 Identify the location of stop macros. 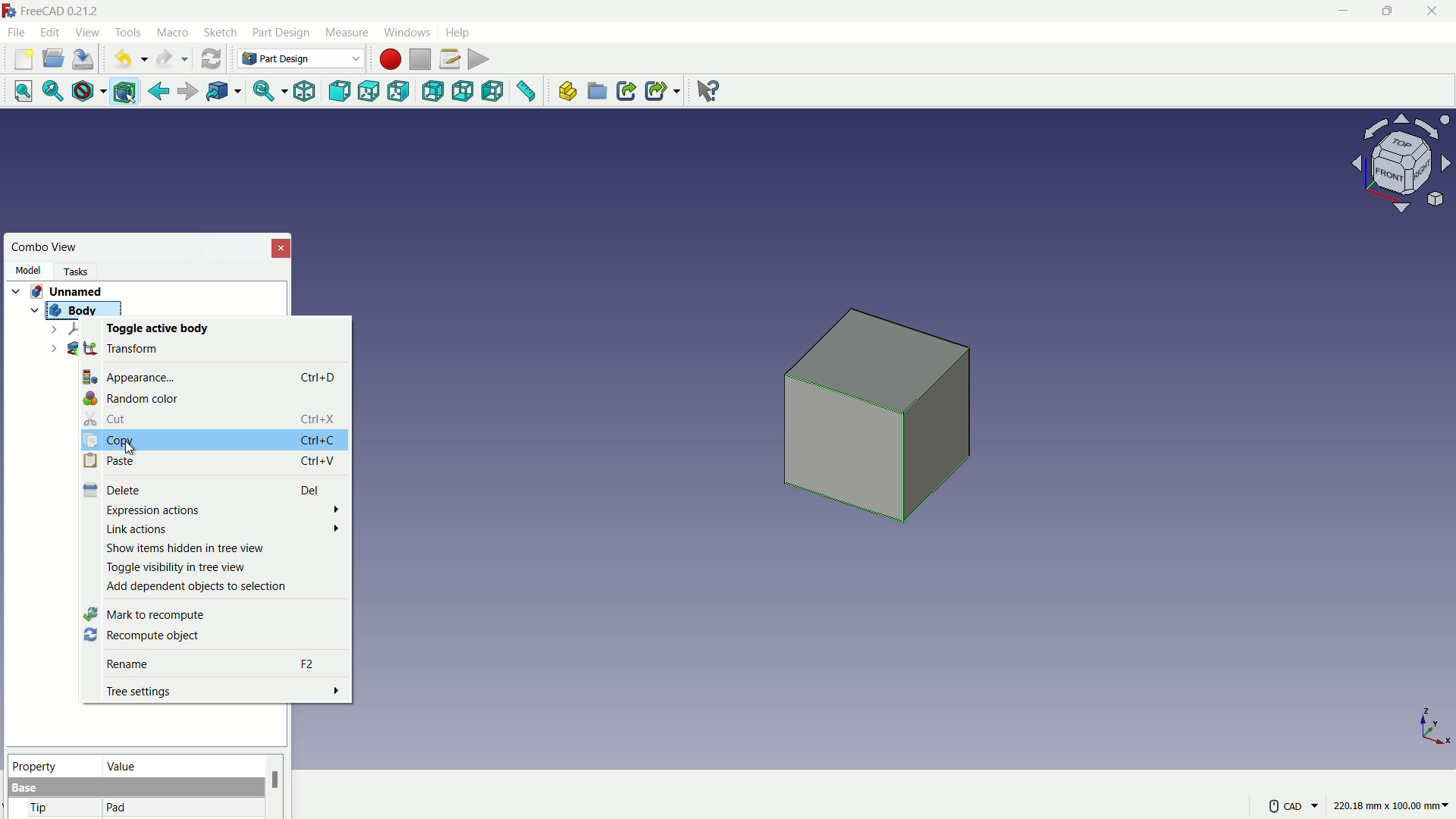
(420, 60).